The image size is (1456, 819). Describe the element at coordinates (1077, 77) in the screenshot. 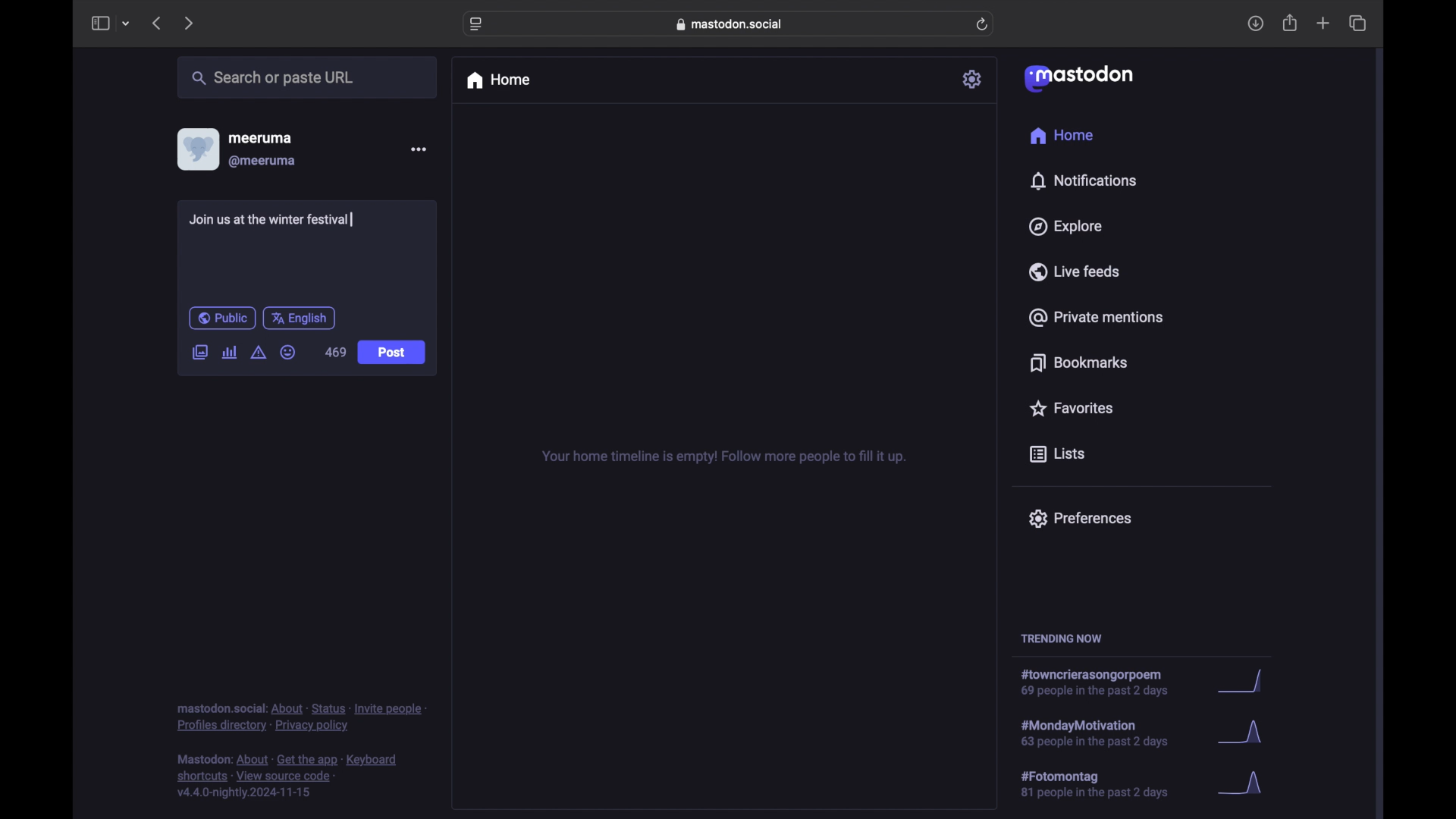

I see `mastodon` at that location.